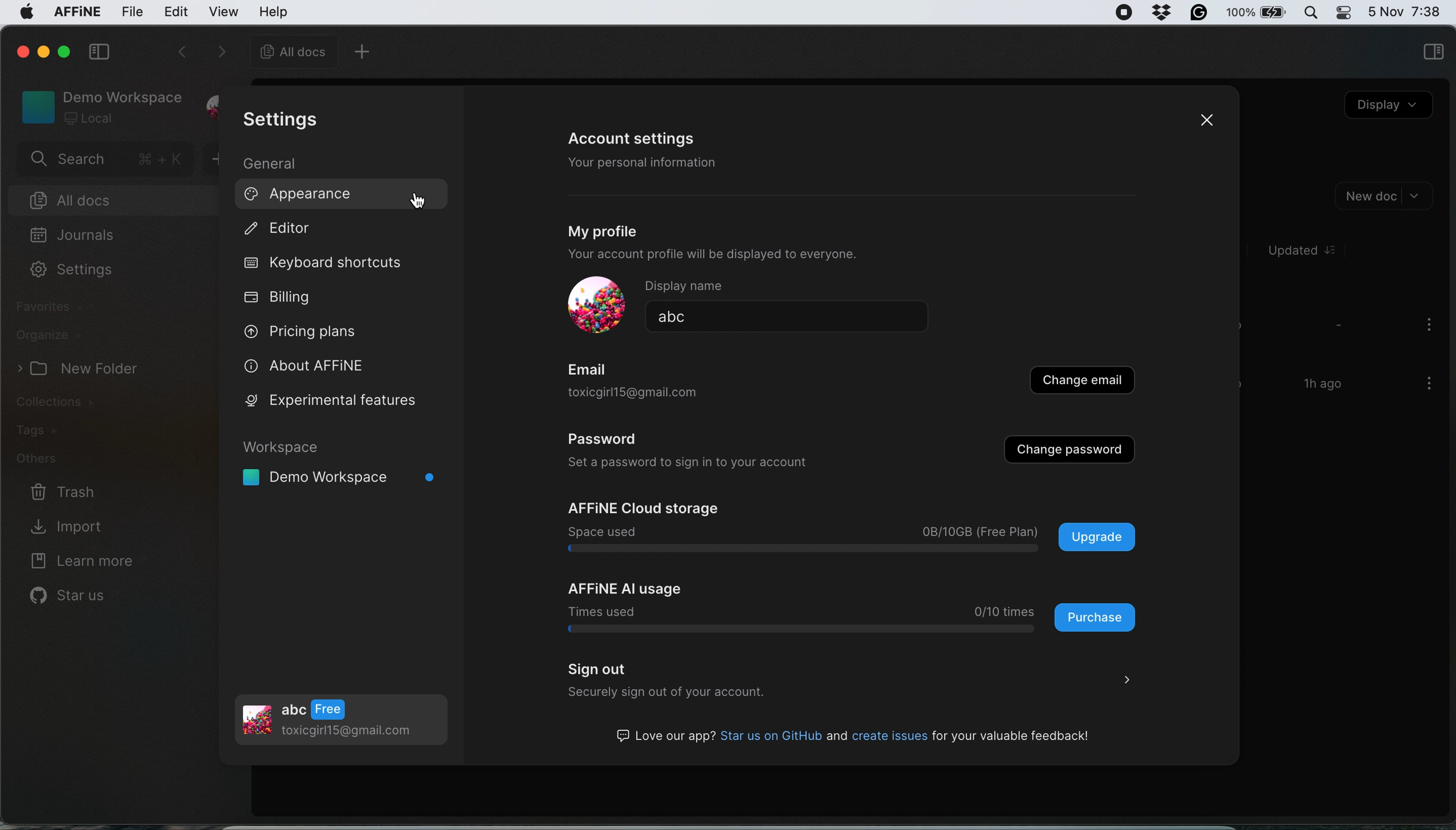 The width and height of the screenshot is (1456, 830). What do you see at coordinates (51, 460) in the screenshot?
I see `others` at bounding box center [51, 460].